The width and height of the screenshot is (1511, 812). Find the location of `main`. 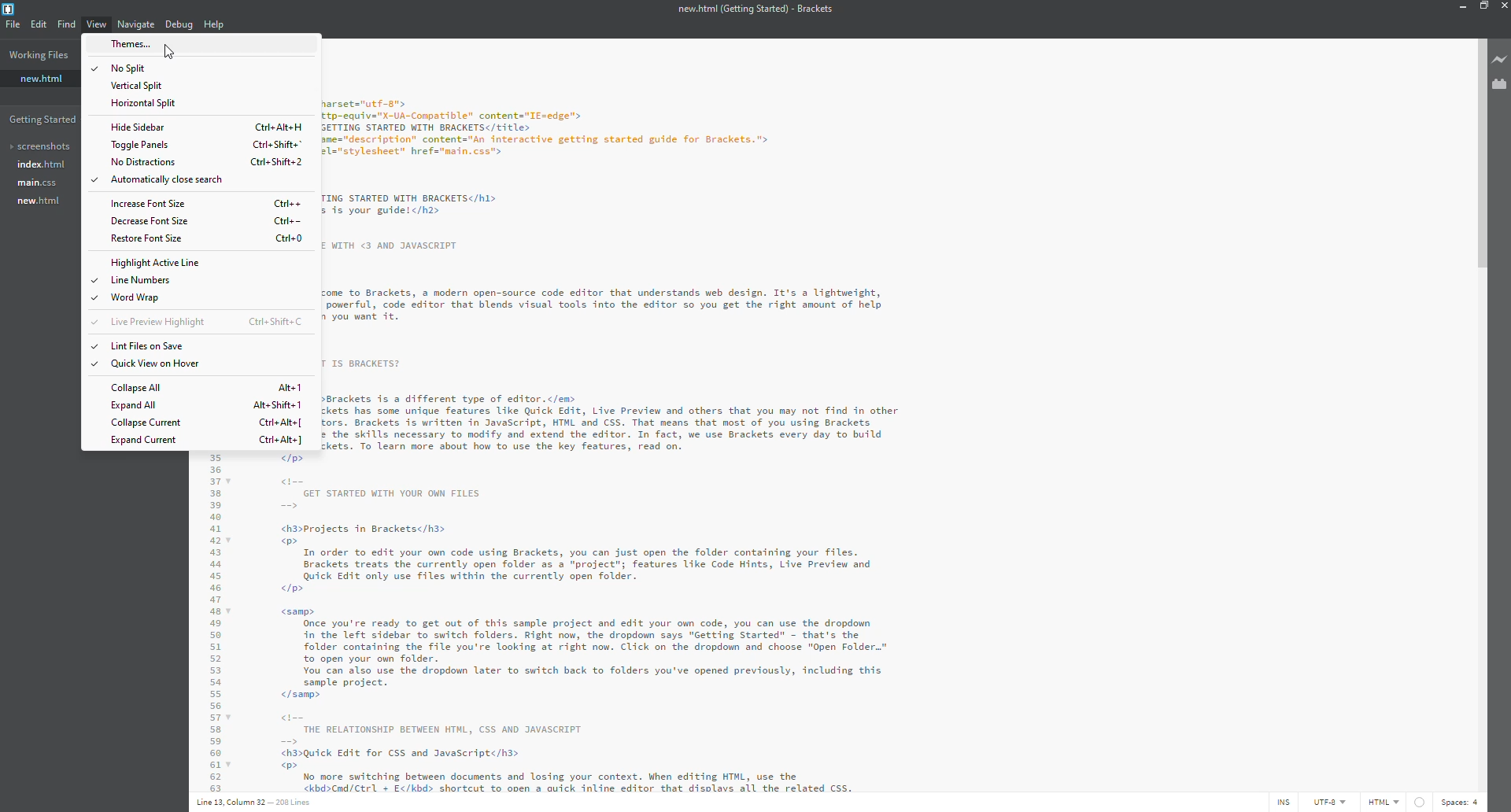

main is located at coordinates (36, 183).